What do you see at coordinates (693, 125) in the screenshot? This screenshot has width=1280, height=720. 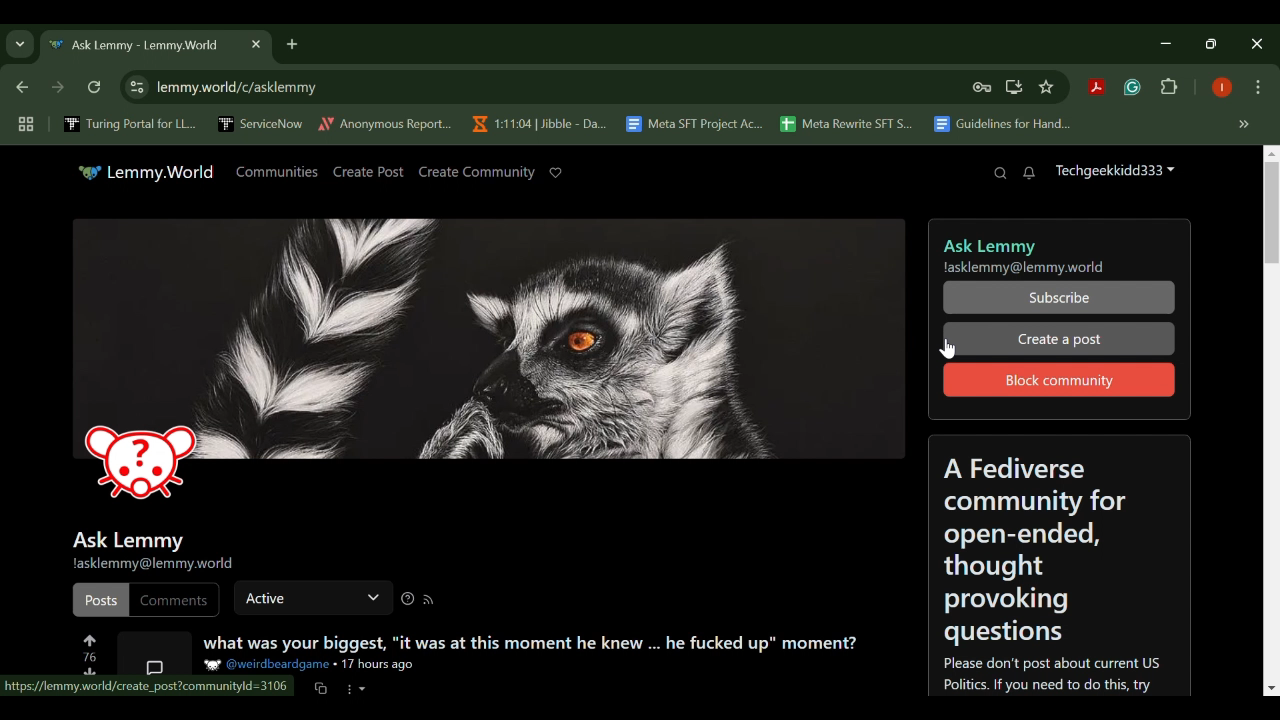 I see `Meta SFT Project Ac...` at bounding box center [693, 125].